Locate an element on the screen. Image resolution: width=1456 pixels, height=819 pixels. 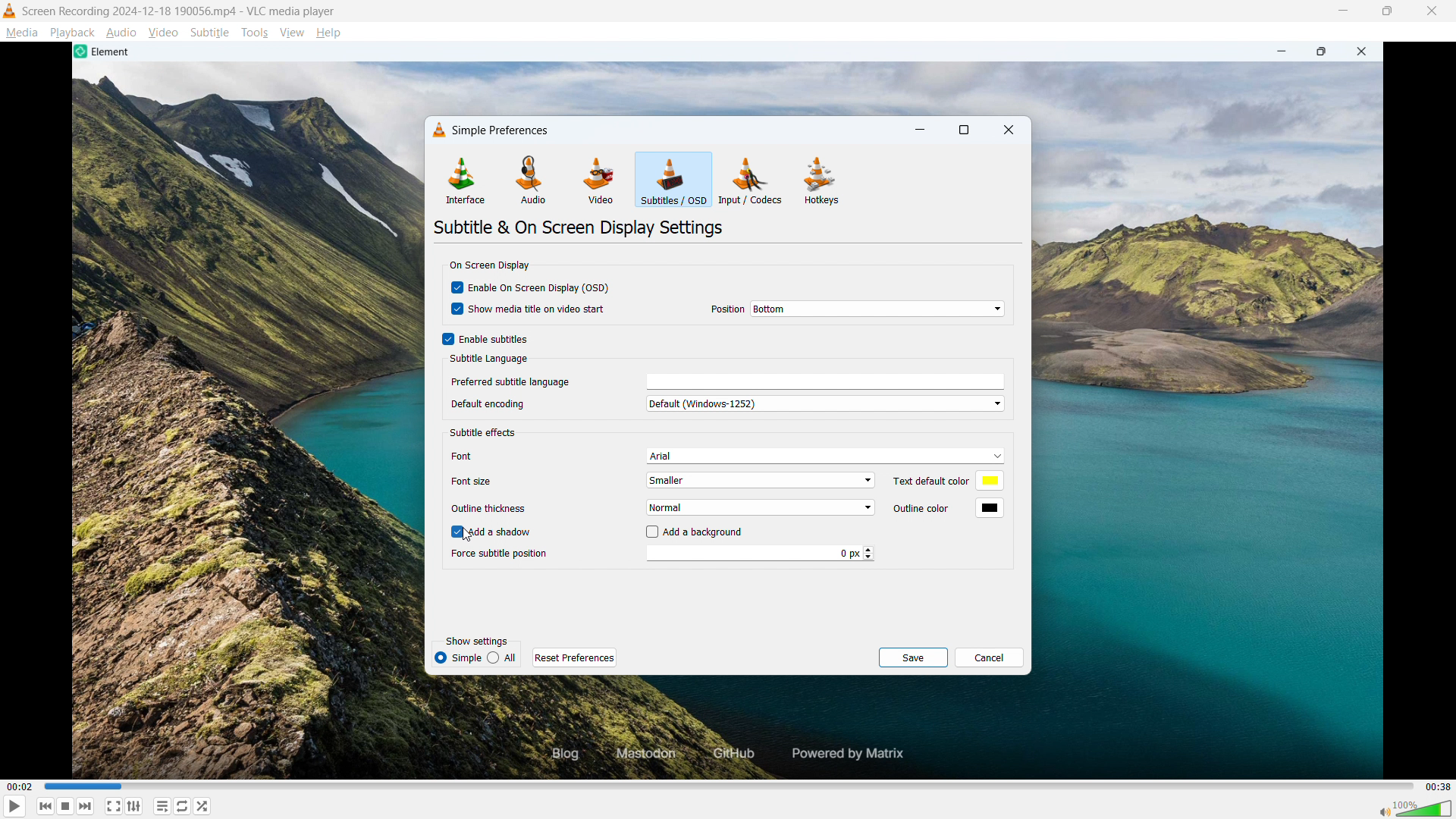
cancel is located at coordinates (990, 657).